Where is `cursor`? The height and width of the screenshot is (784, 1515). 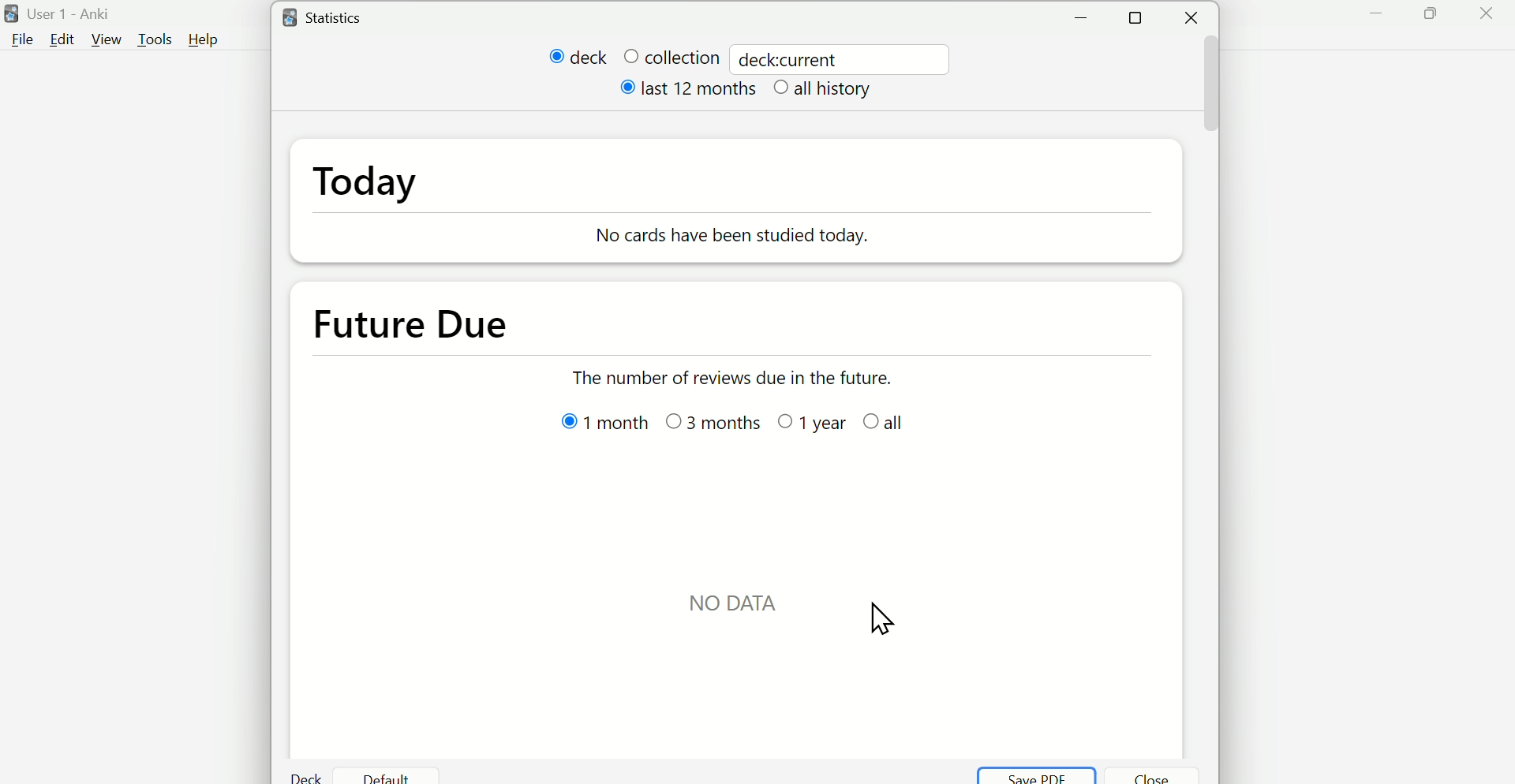
cursor is located at coordinates (885, 623).